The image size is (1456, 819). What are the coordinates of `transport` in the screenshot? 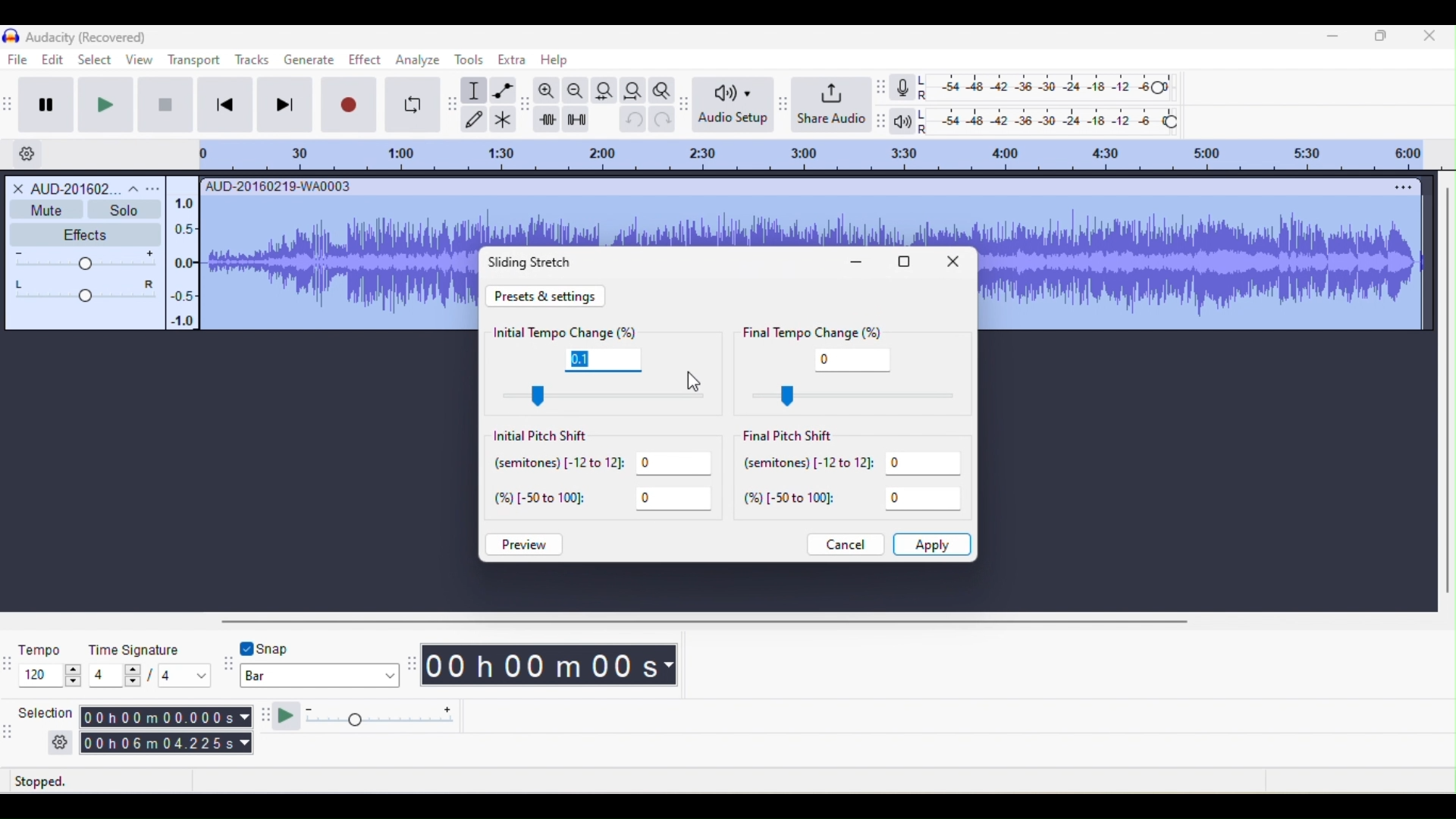 It's located at (193, 60).